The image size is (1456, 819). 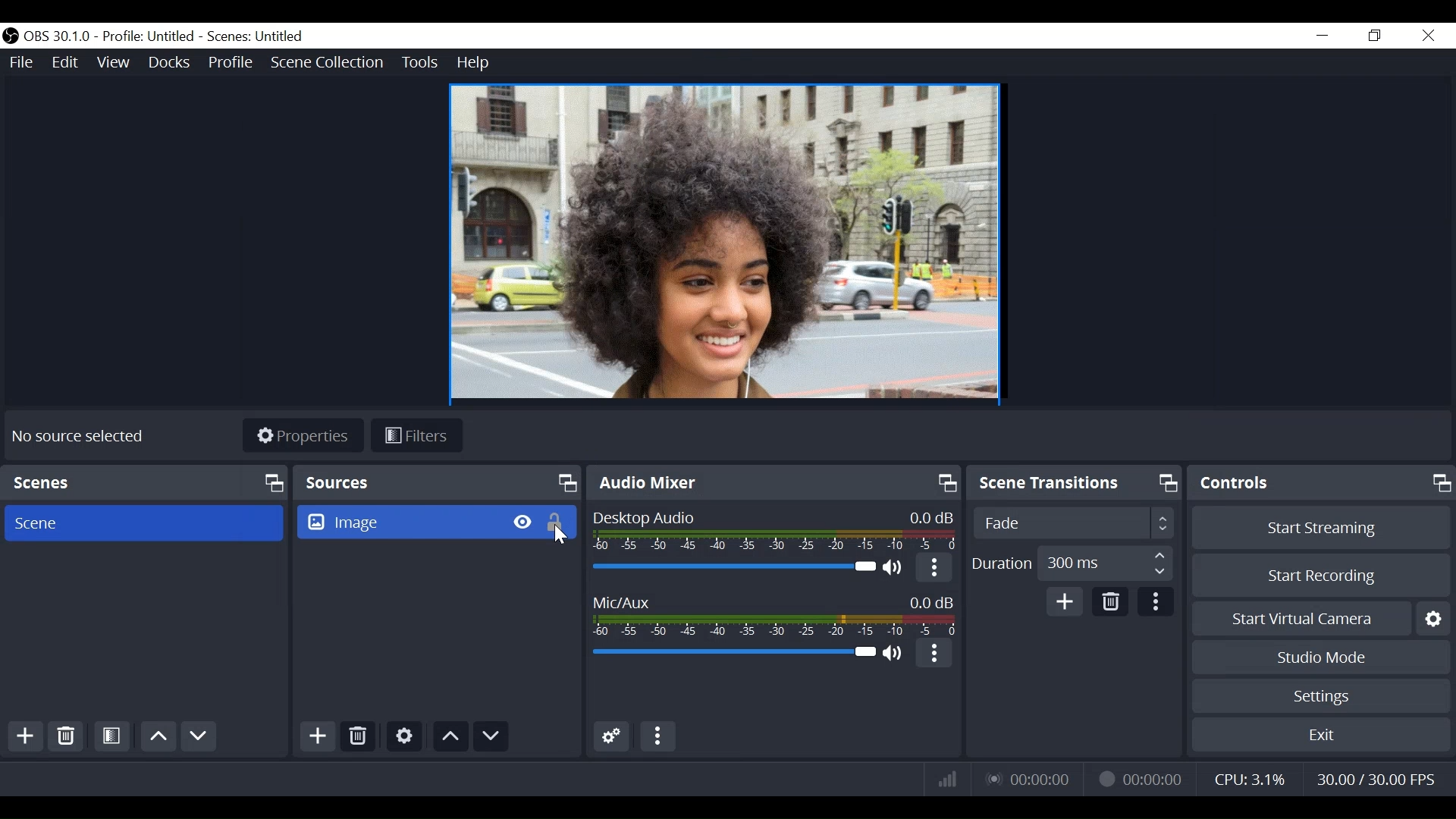 What do you see at coordinates (1373, 35) in the screenshot?
I see `Restore` at bounding box center [1373, 35].